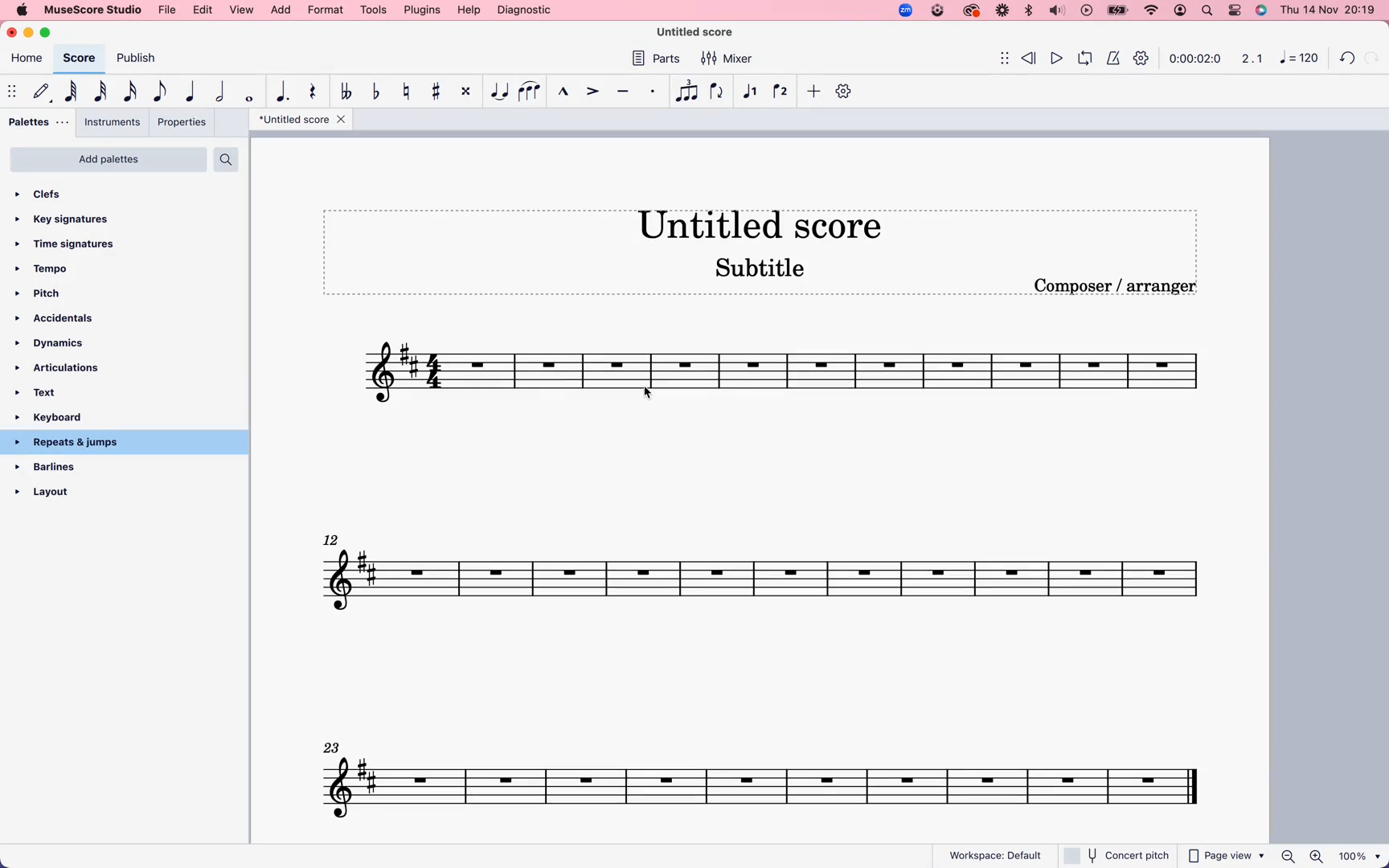 The height and width of the screenshot is (868, 1389). Describe the element at coordinates (192, 89) in the screenshot. I see `quarter note` at that location.